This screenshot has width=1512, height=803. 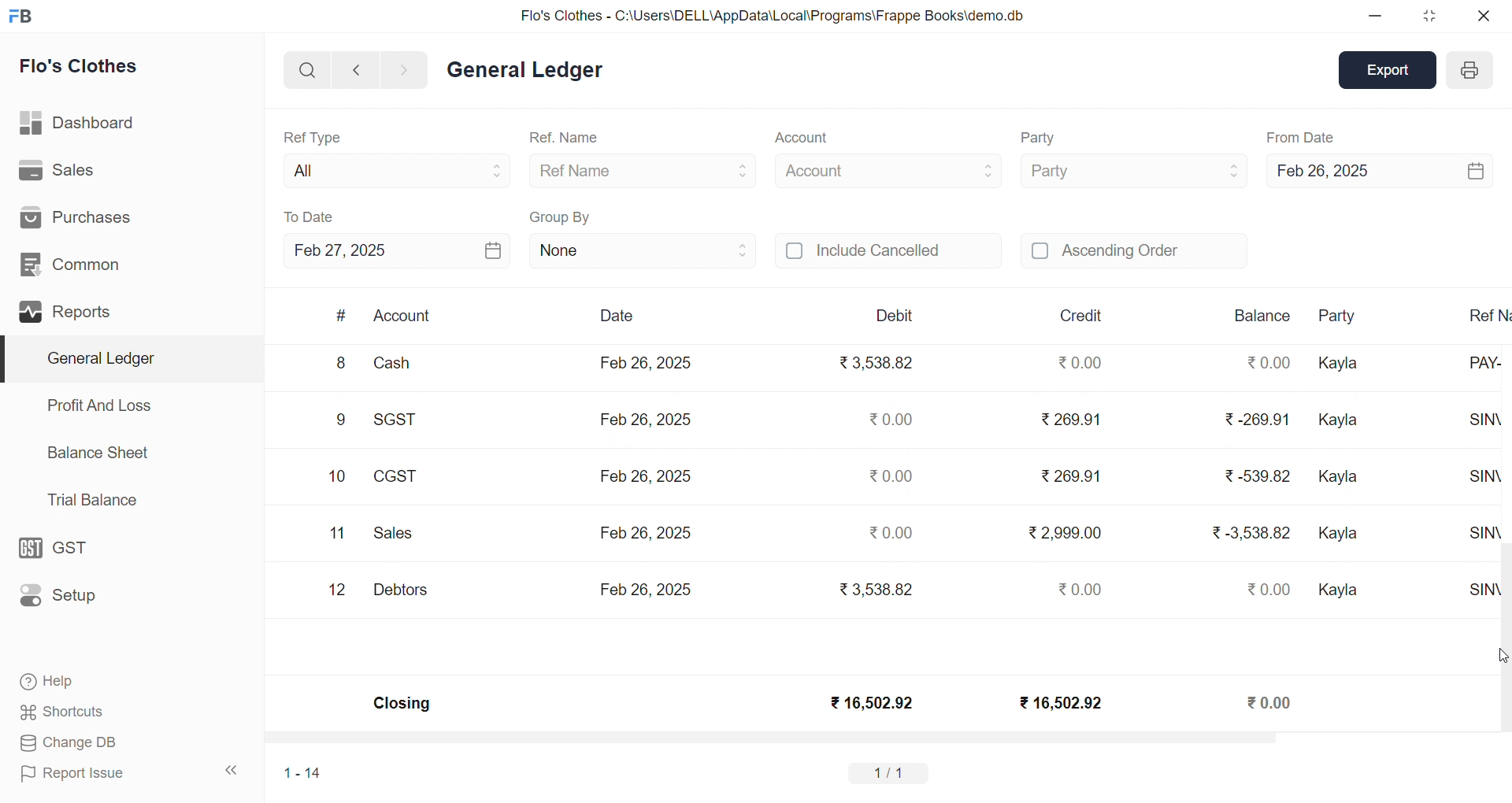 I want to click on SEARCH, so click(x=306, y=68).